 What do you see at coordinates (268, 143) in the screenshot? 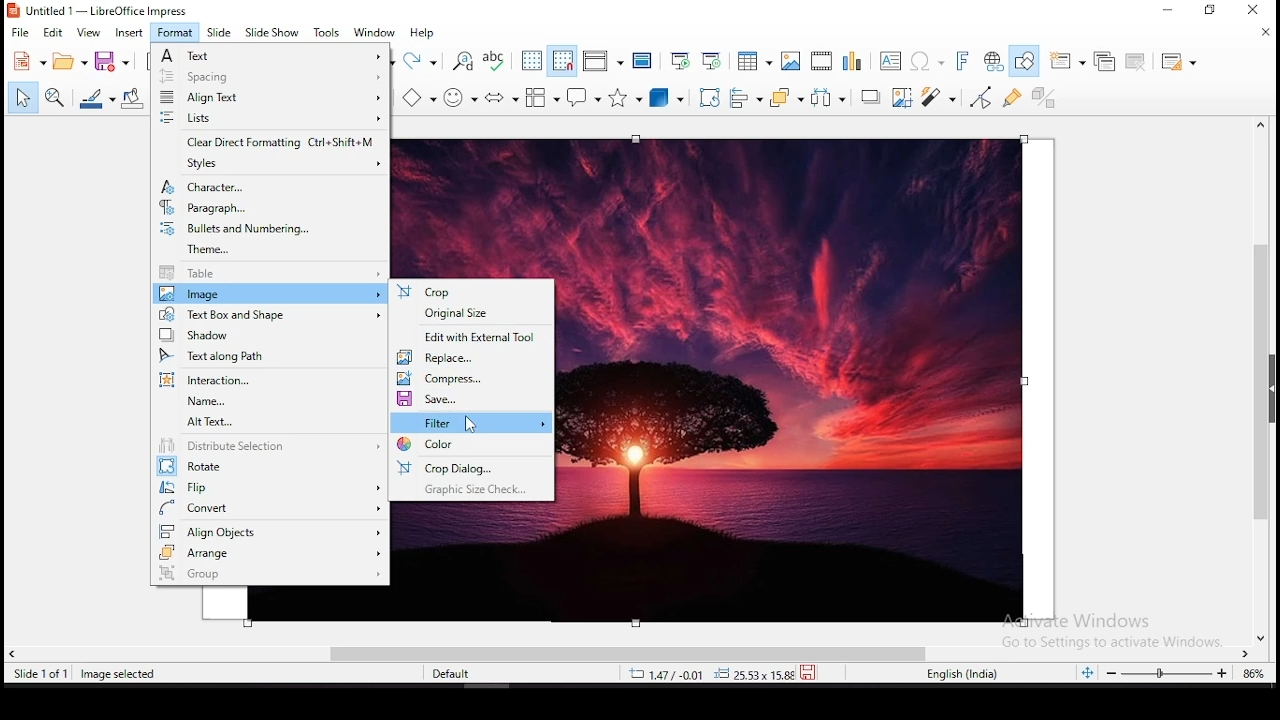
I see `clear direct formatting` at bounding box center [268, 143].